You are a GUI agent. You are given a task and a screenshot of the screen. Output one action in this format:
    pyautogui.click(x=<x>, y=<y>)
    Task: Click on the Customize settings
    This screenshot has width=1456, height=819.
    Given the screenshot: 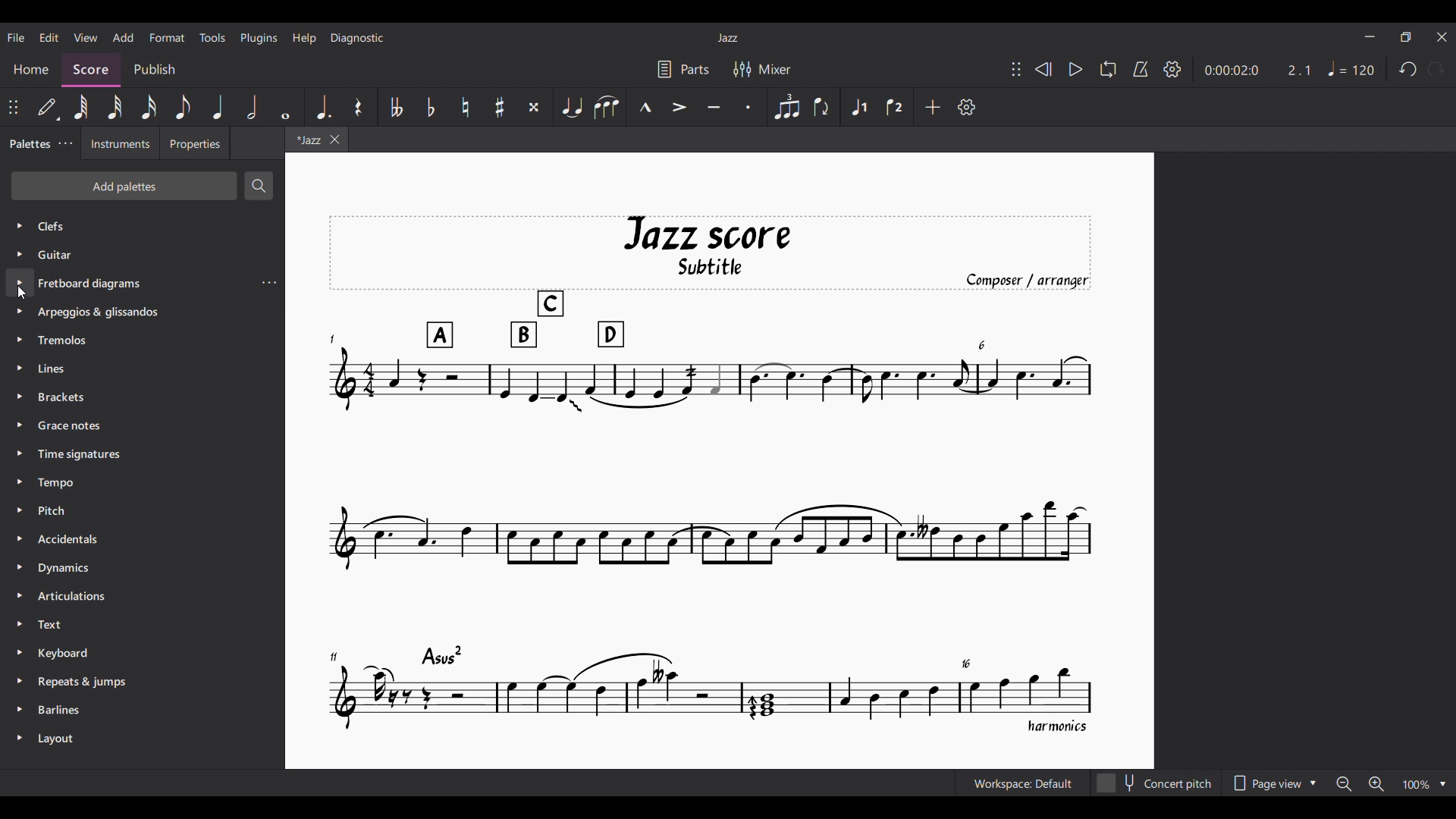 What is the action you would take?
    pyautogui.click(x=967, y=107)
    